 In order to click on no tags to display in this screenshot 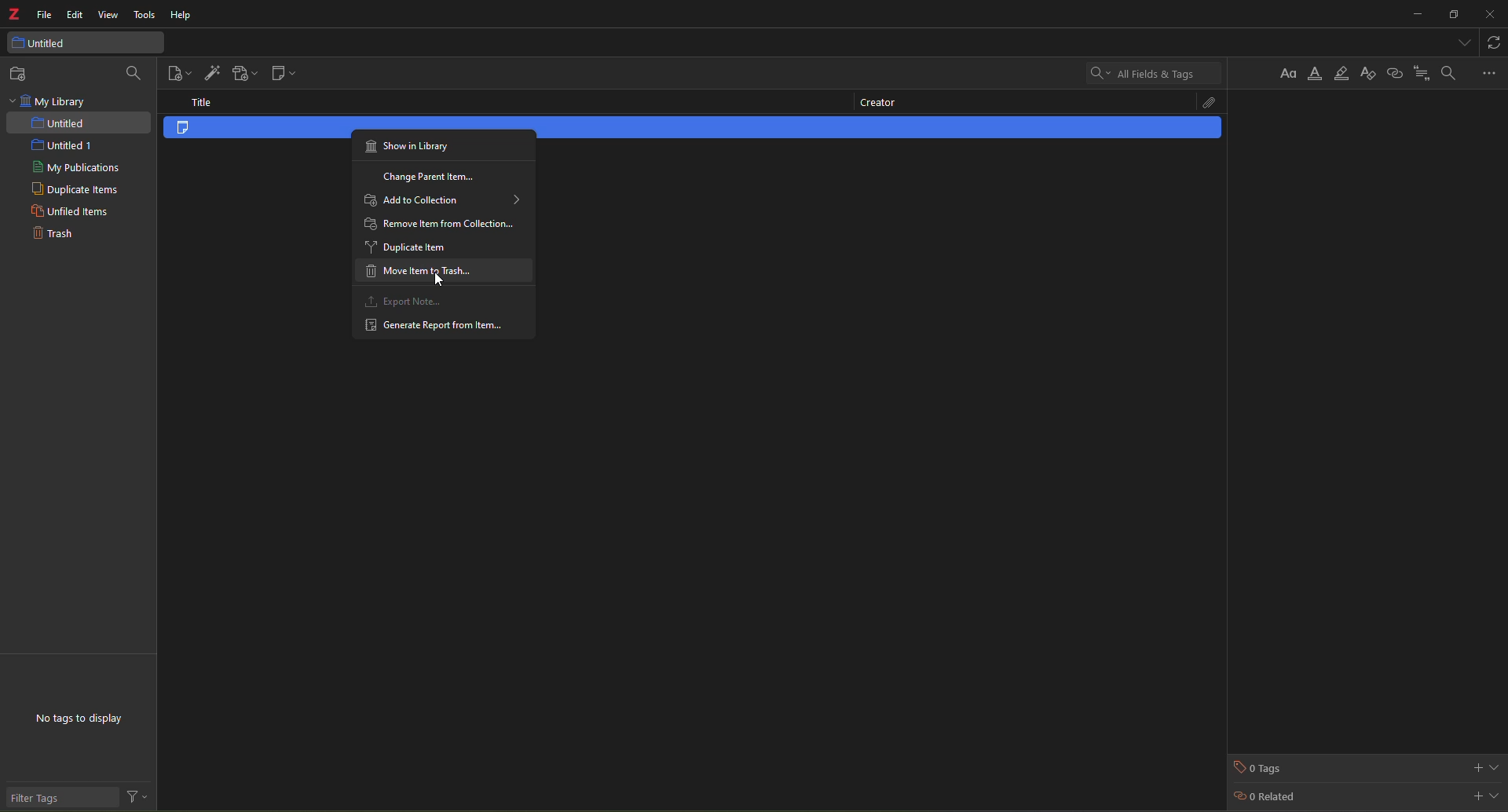, I will do `click(82, 720)`.